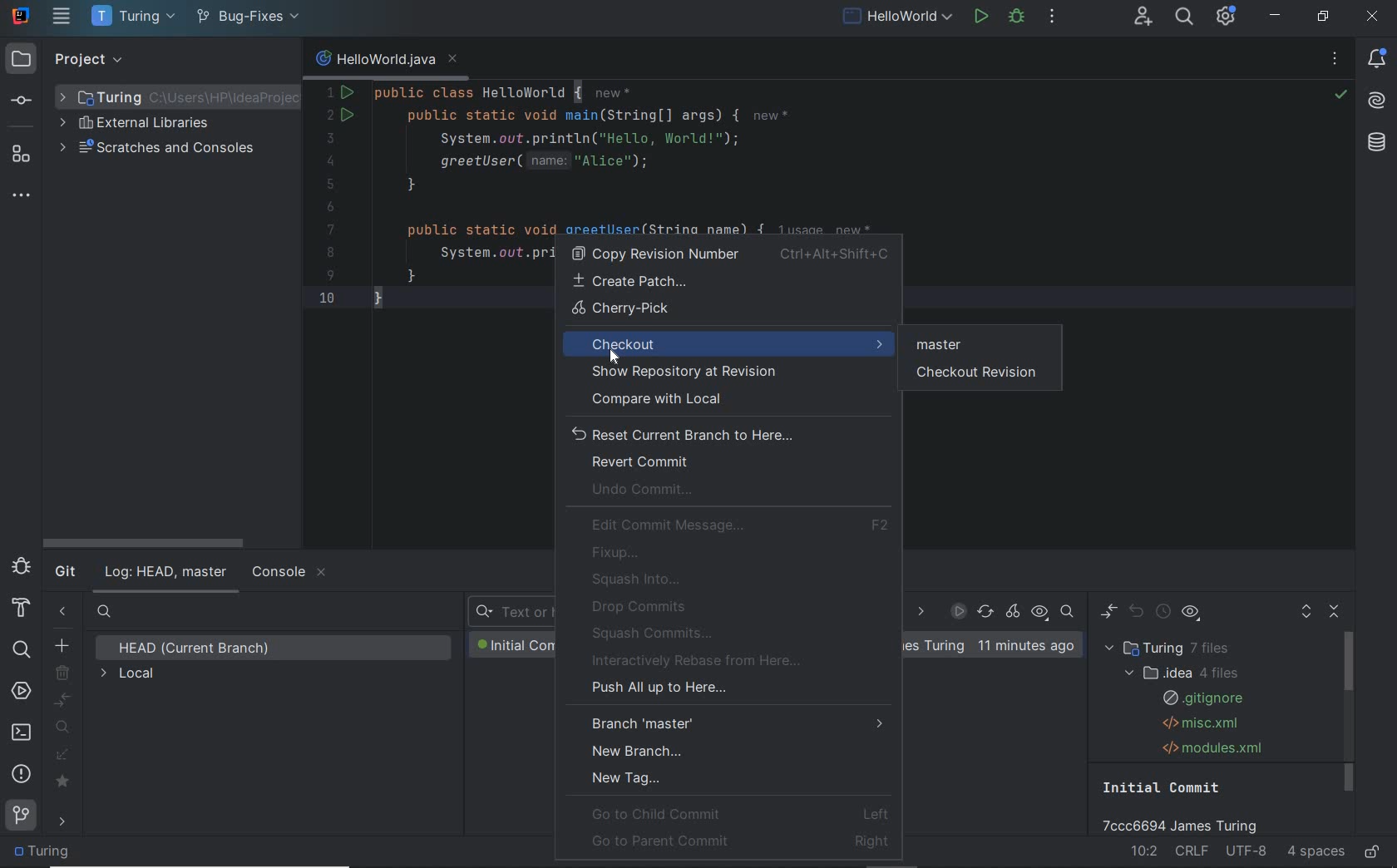 This screenshot has height=868, width=1397. What do you see at coordinates (21, 609) in the screenshot?
I see `build` at bounding box center [21, 609].